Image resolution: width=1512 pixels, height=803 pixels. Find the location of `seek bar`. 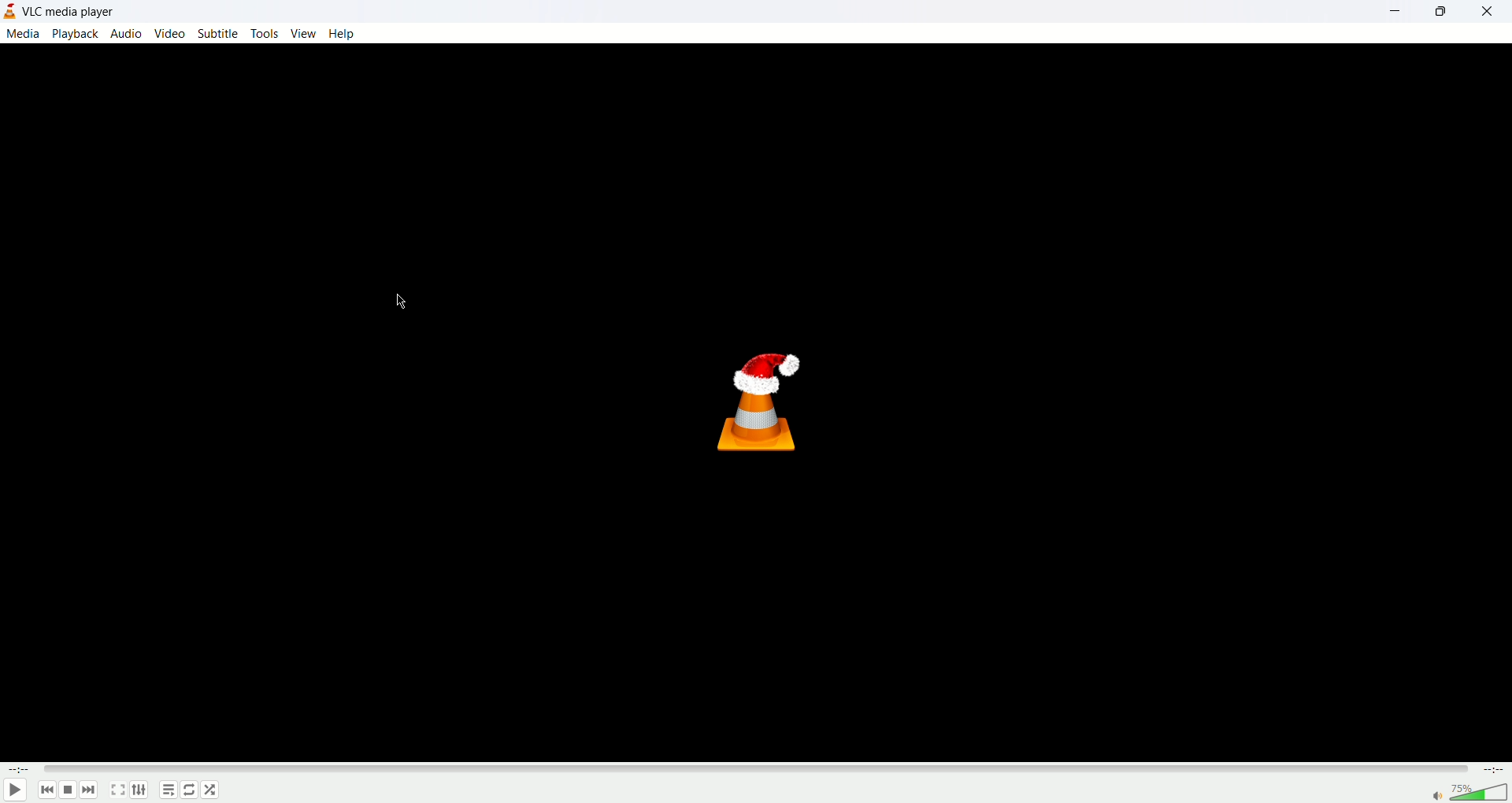

seek bar is located at coordinates (756, 768).